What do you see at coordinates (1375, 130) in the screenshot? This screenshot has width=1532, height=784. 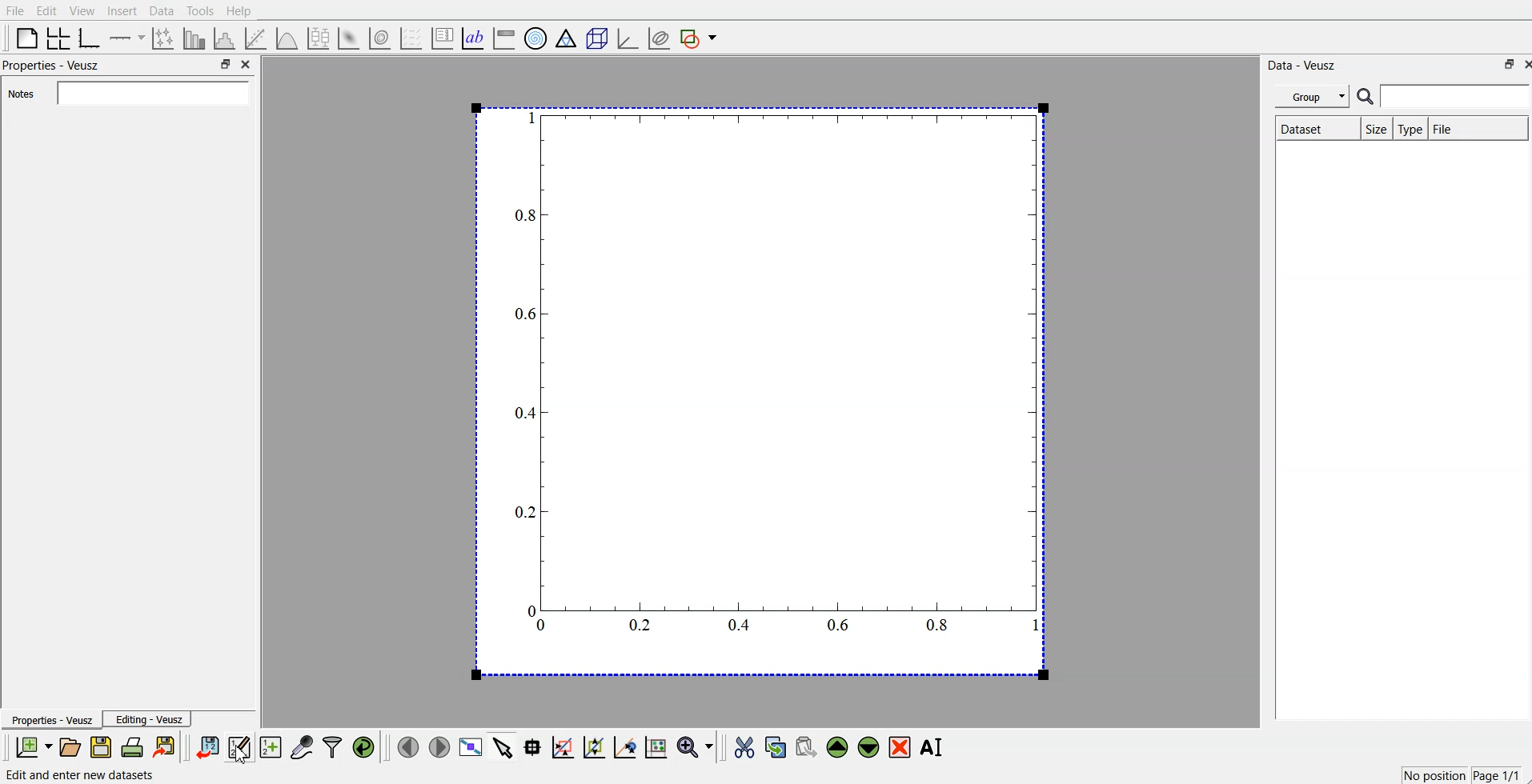 I see `Size` at bounding box center [1375, 130].